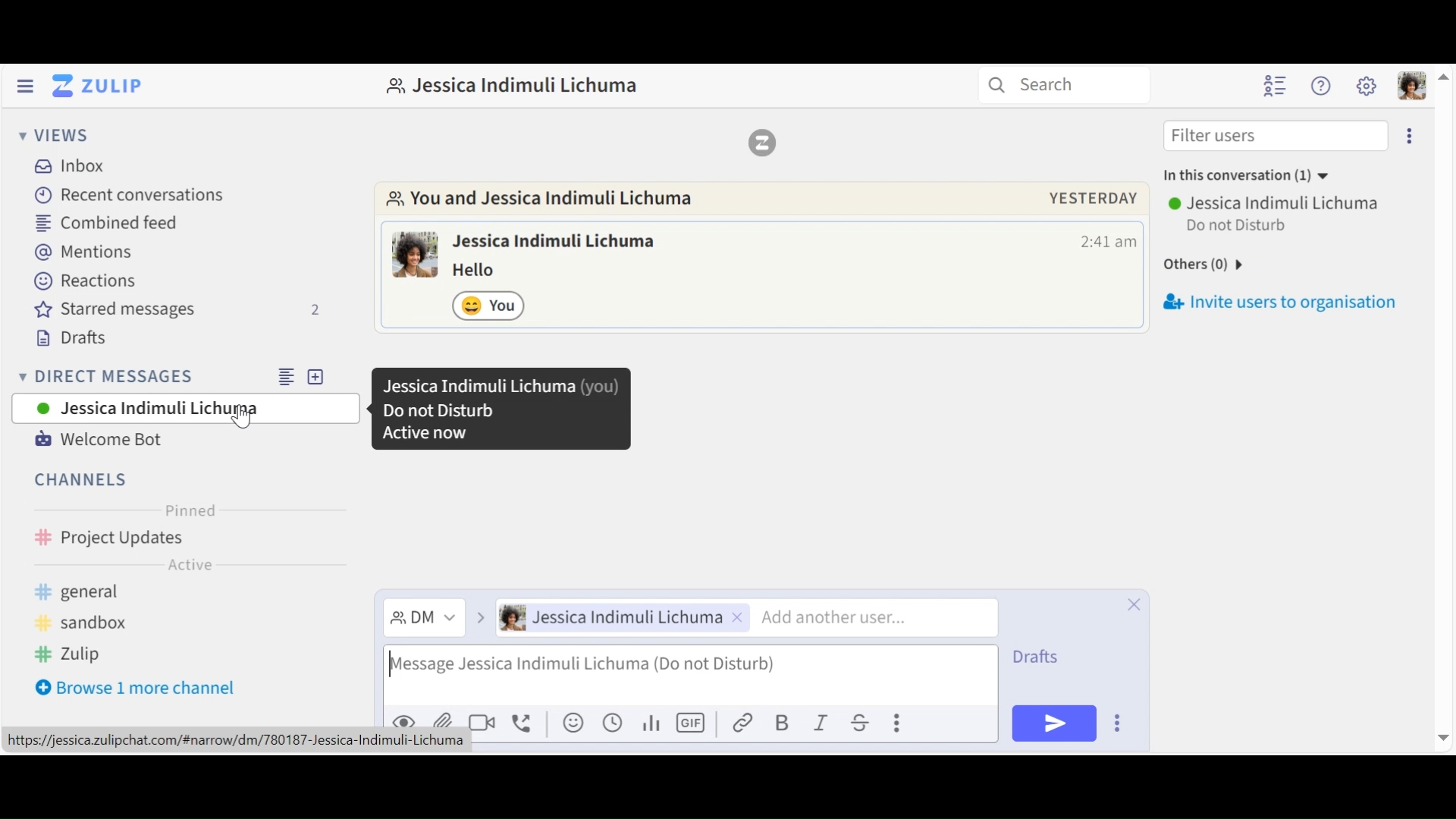 Image resolution: width=1456 pixels, height=819 pixels. What do you see at coordinates (783, 723) in the screenshot?
I see `Bold` at bounding box center [783, 723].